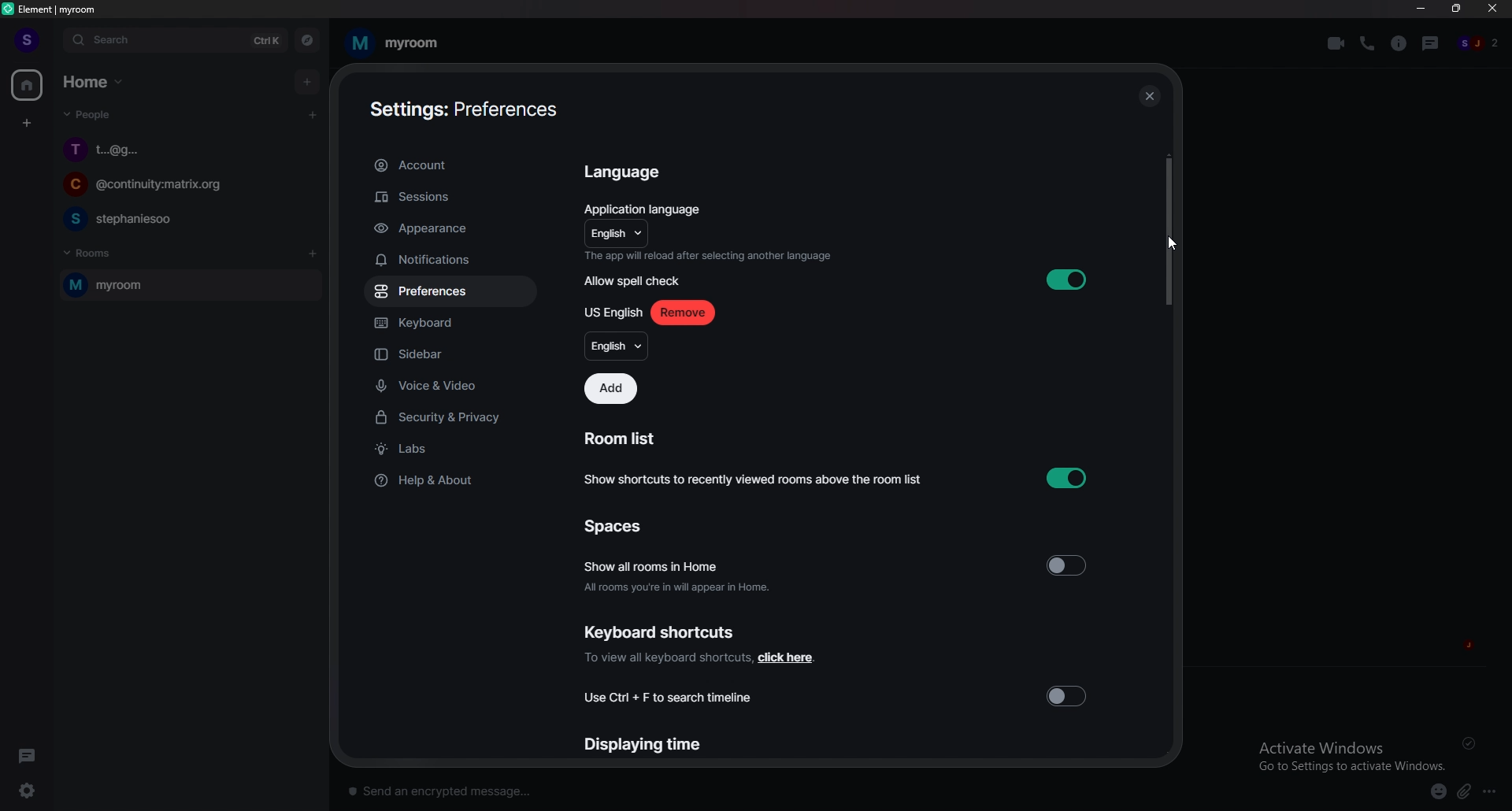  I want to click on home, so click(28, 86).